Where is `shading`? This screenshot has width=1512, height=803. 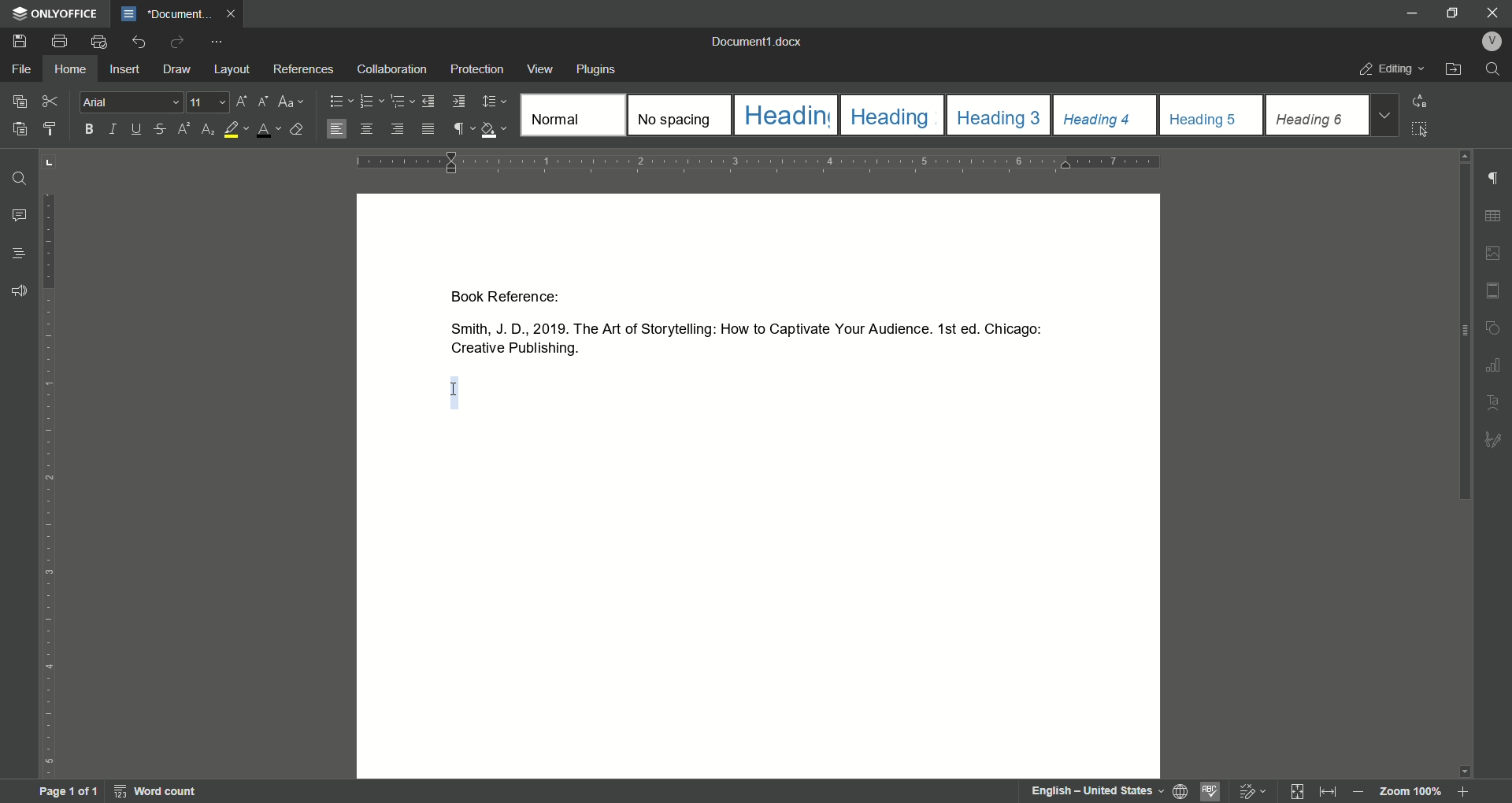 shading is located at coordinates (495, 128).